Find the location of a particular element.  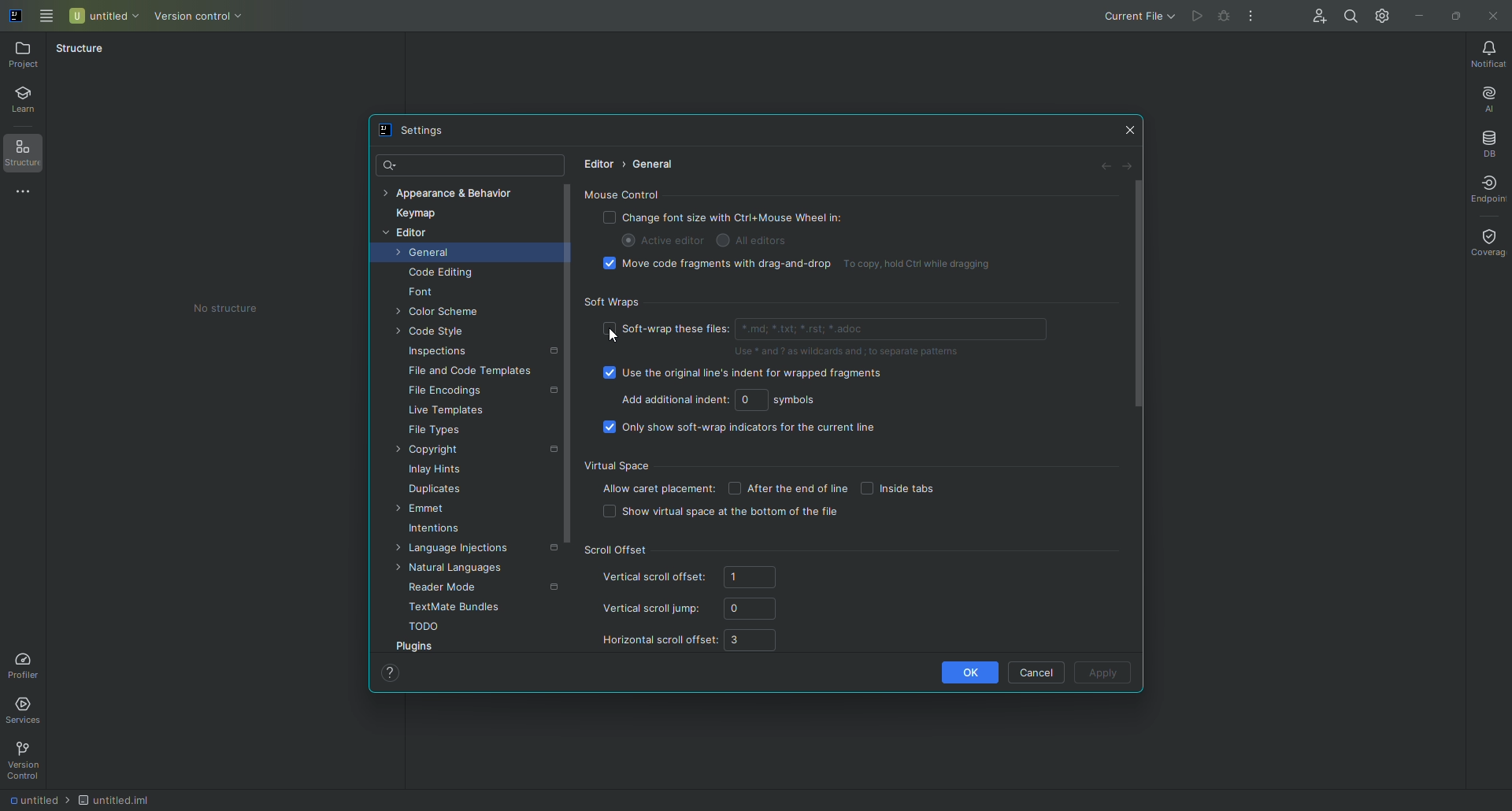

TextMate bundles is located at coordinates (458, 607).